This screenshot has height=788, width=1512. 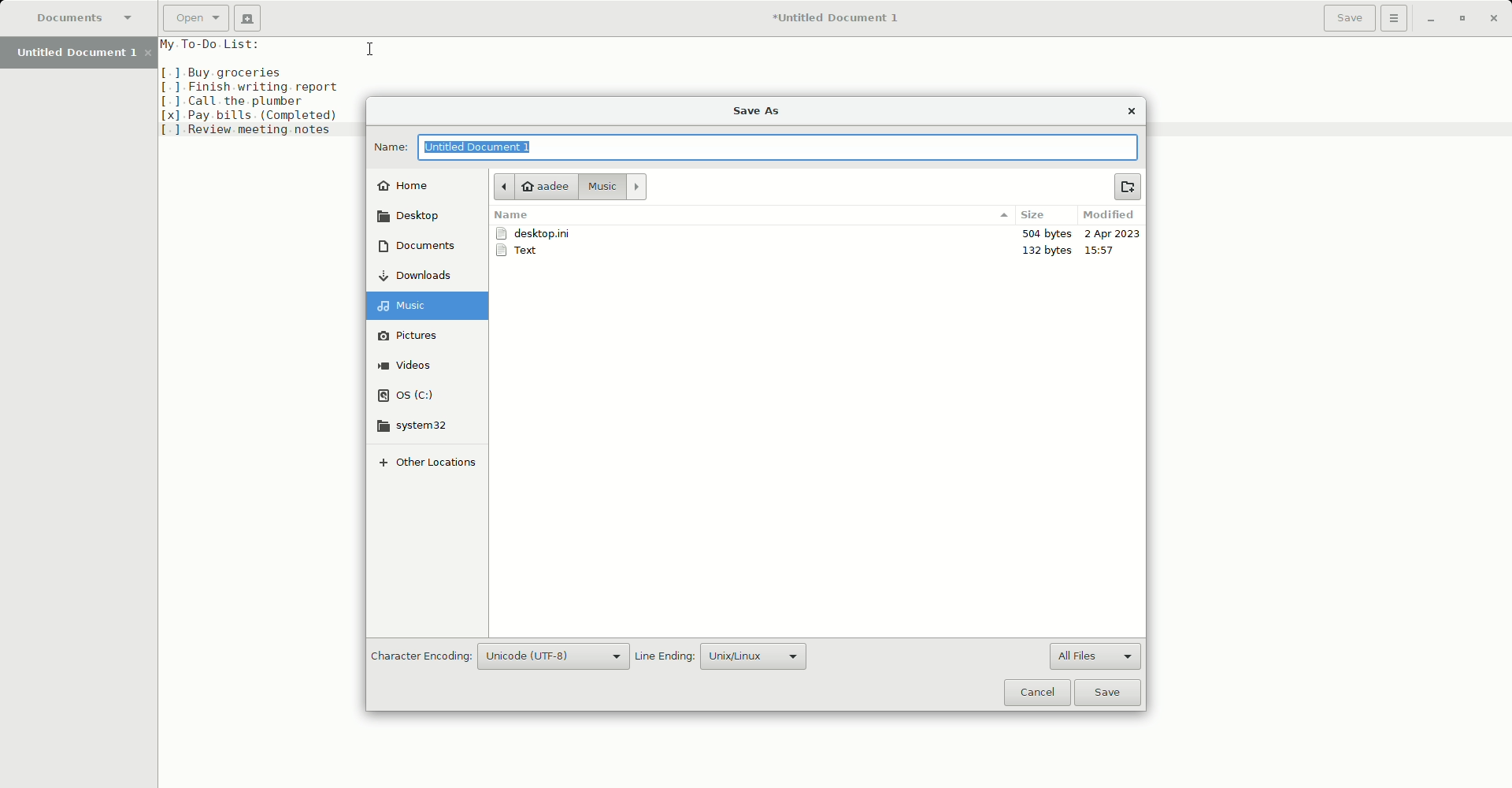 What do you see at coordinates (1106, 250) in the screenshot?
I see `15:57` at bounding box center [1106, 250].